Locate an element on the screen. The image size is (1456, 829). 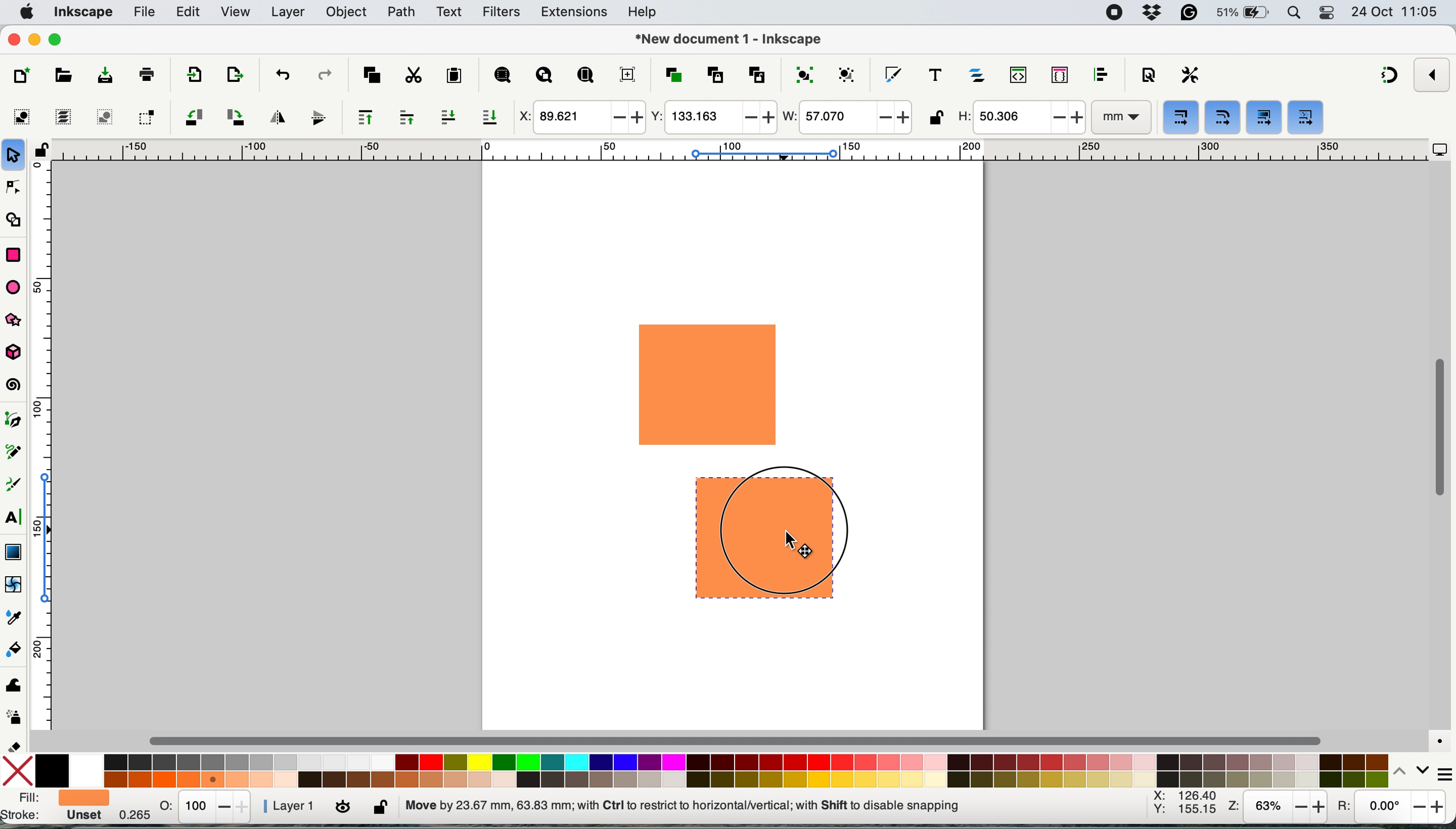
when scaling rectangles scale the radii of rounded corners is located at coordinates (1221, 118).